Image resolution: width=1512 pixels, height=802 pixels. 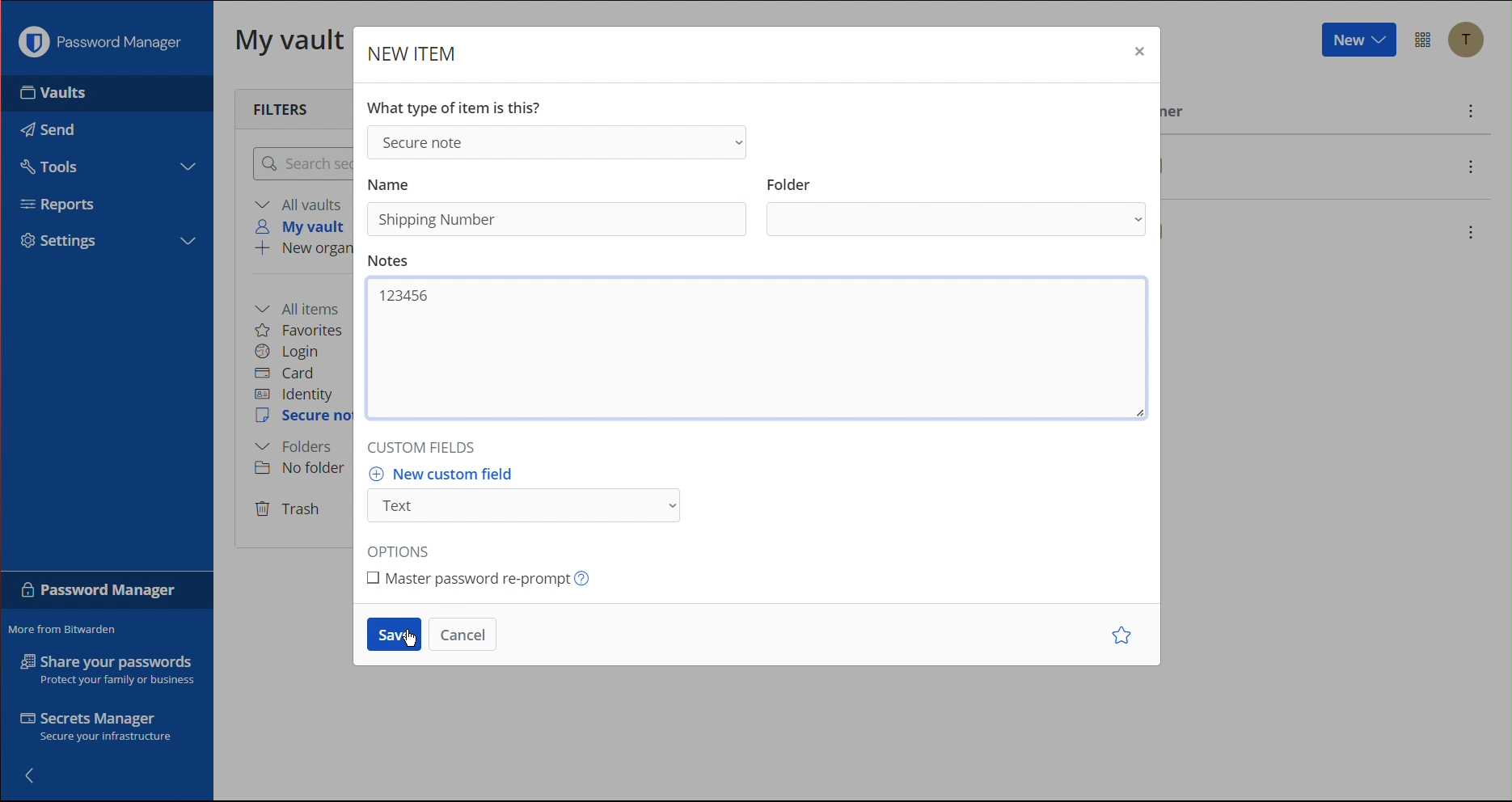 What do you see at coordinates (300, 251) in the screenshot?
I see `New organization` at bounding box center [300, 251].